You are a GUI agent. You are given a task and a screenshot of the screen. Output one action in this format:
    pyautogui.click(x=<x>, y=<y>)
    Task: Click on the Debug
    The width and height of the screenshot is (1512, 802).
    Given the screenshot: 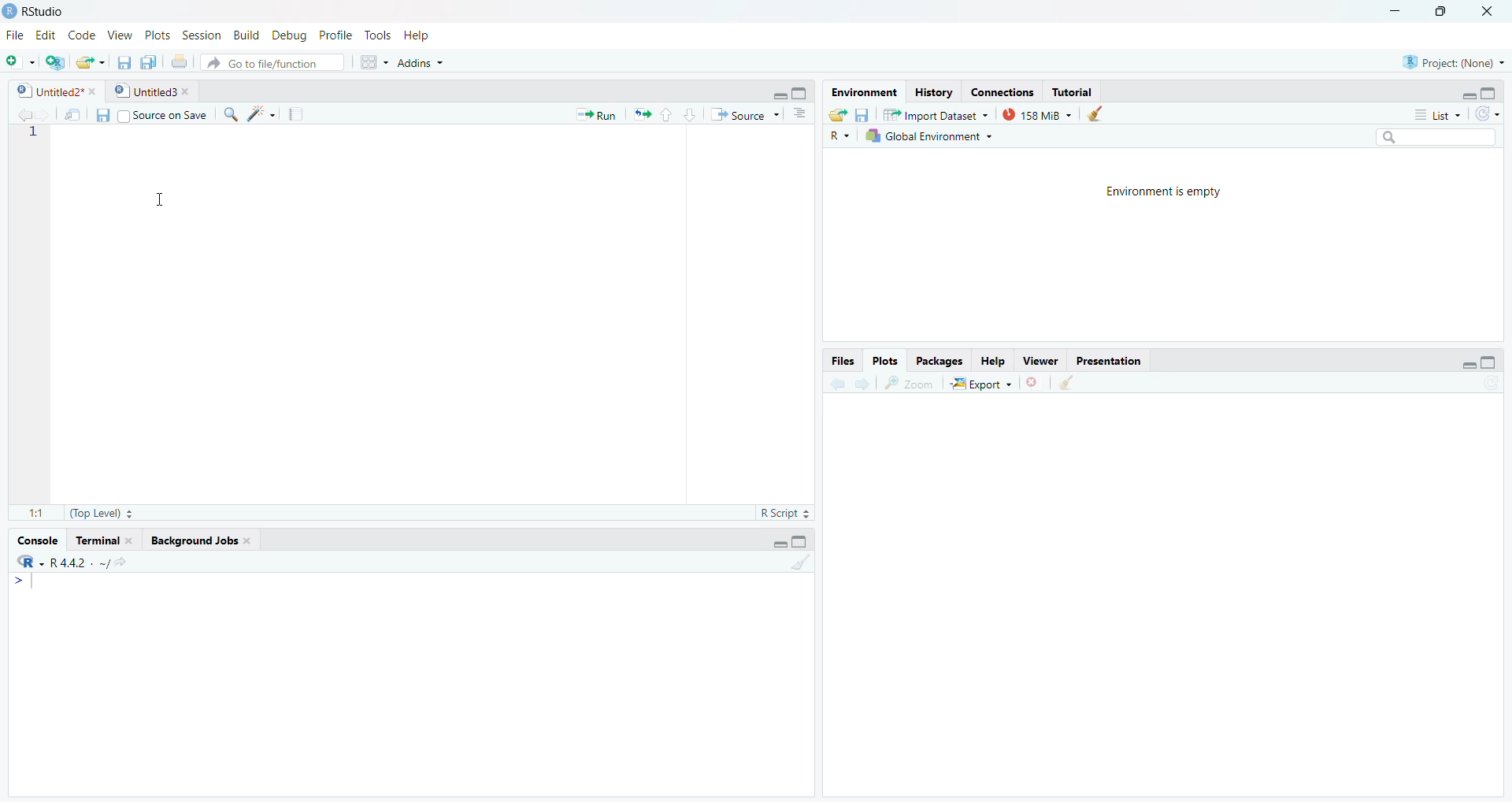 What is the action you would take?
    pyautogui.click(x=289, y=33)
    